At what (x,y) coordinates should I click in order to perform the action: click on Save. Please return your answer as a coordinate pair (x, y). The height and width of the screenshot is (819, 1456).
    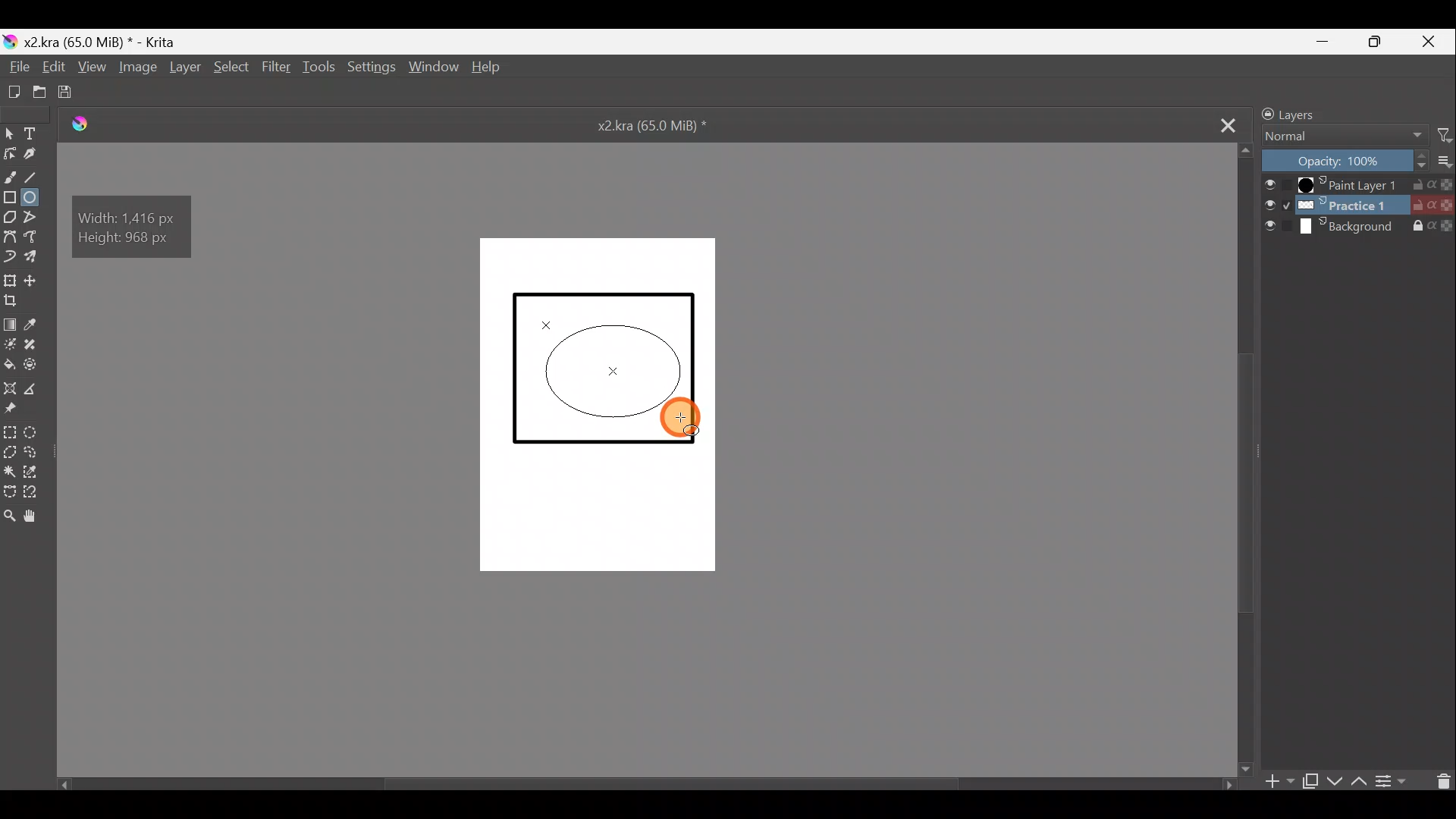
    Looking at the image, I should click on (78, 93).